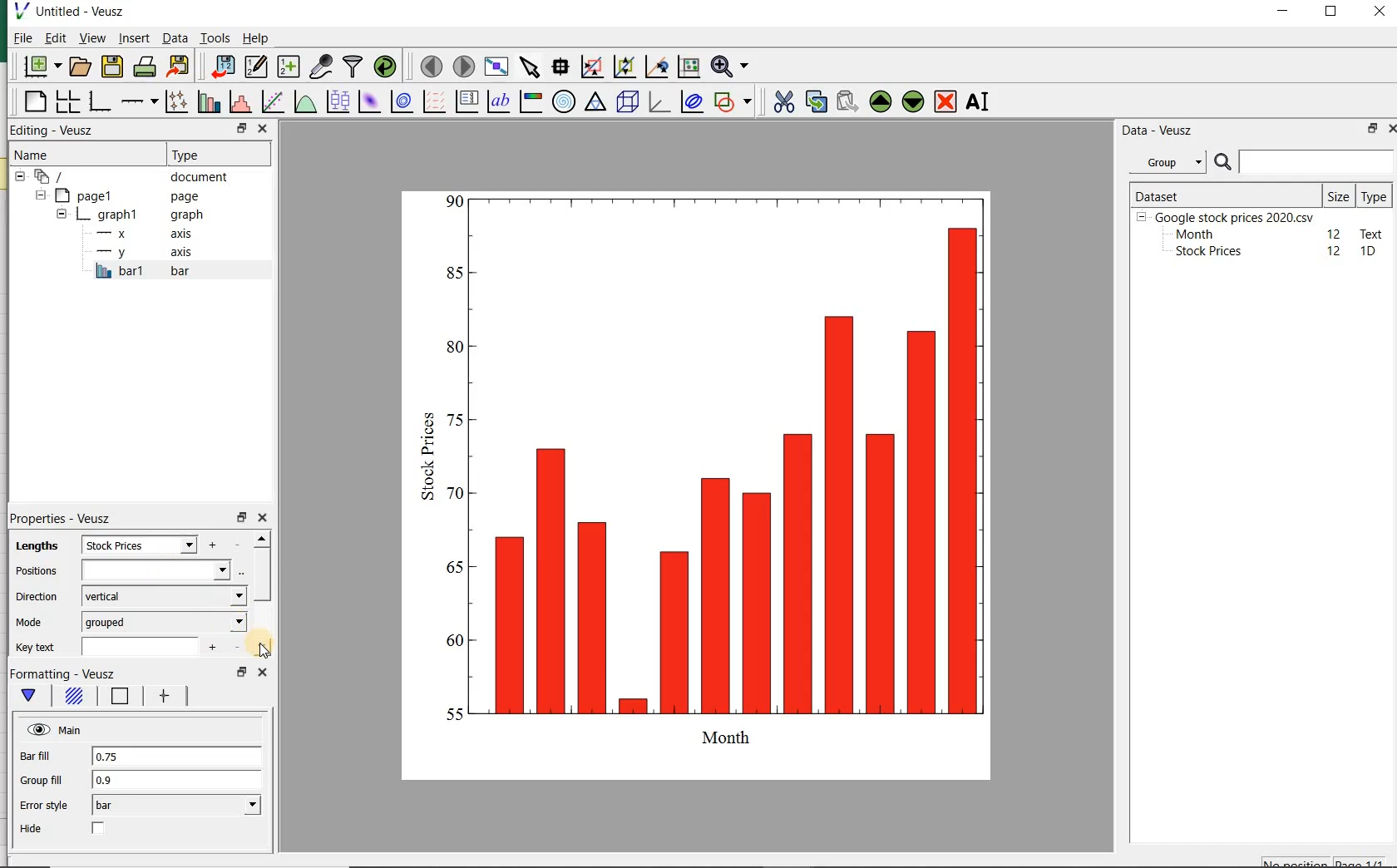  Describe the element at coordinates (242, 129) in the screenshot. I see `restore` at that location.